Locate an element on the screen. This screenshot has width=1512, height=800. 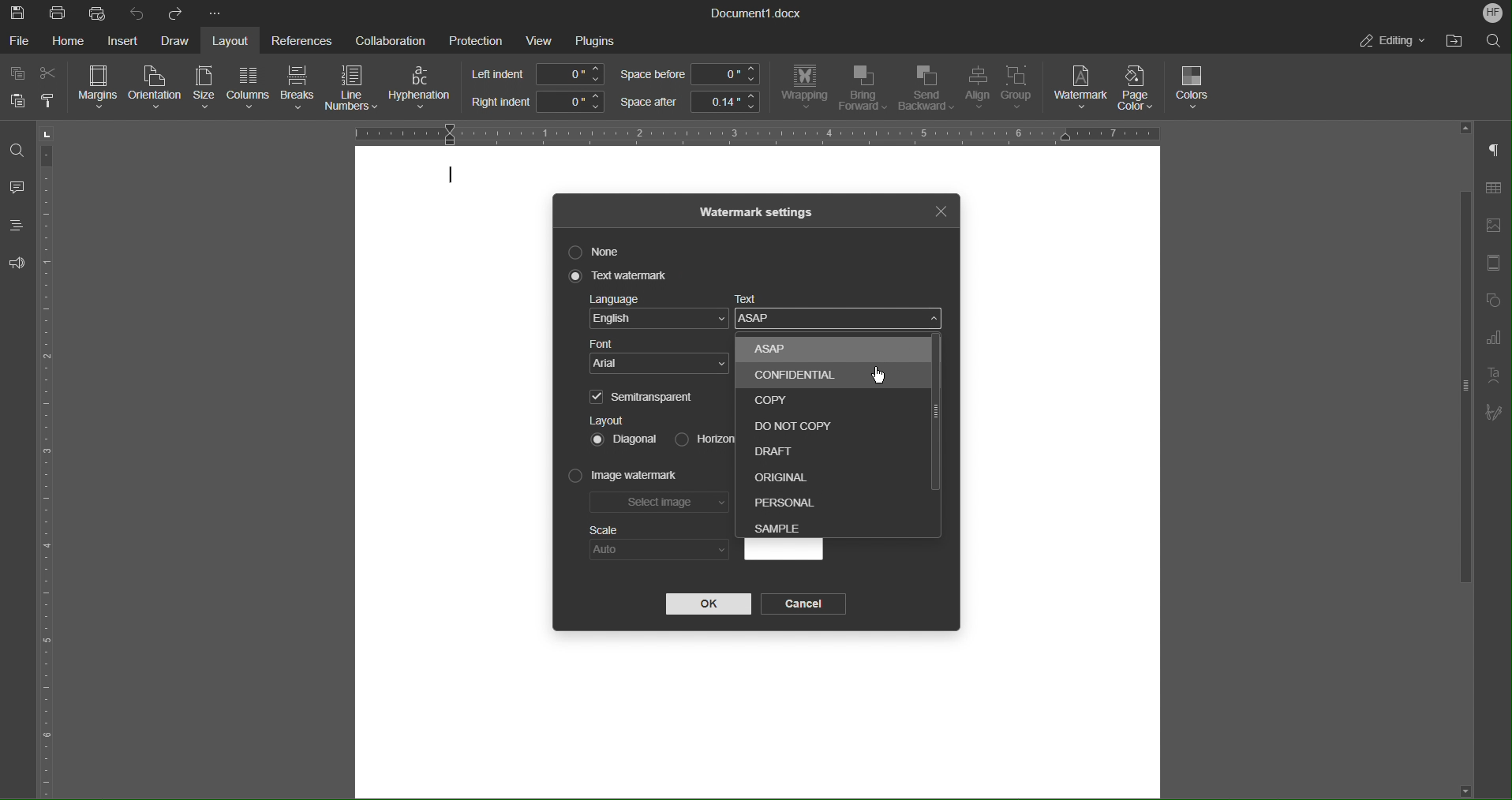
Right indent is located at coordinates (537, 102).